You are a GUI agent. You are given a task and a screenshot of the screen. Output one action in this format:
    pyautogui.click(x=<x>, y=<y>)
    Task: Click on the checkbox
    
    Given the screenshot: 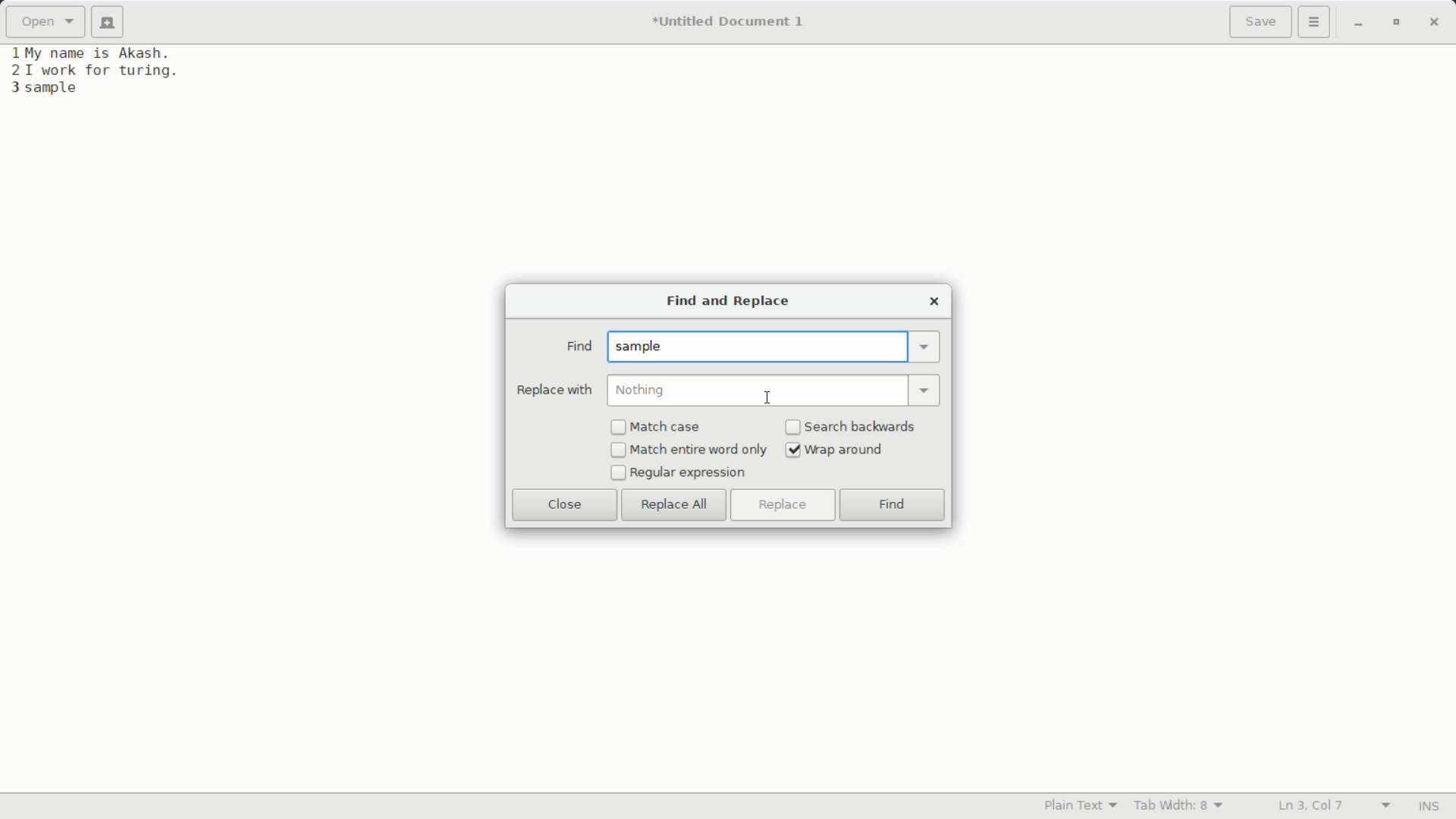 What is the action you would take?
    pyautogui.click(x=793, y=428)
    